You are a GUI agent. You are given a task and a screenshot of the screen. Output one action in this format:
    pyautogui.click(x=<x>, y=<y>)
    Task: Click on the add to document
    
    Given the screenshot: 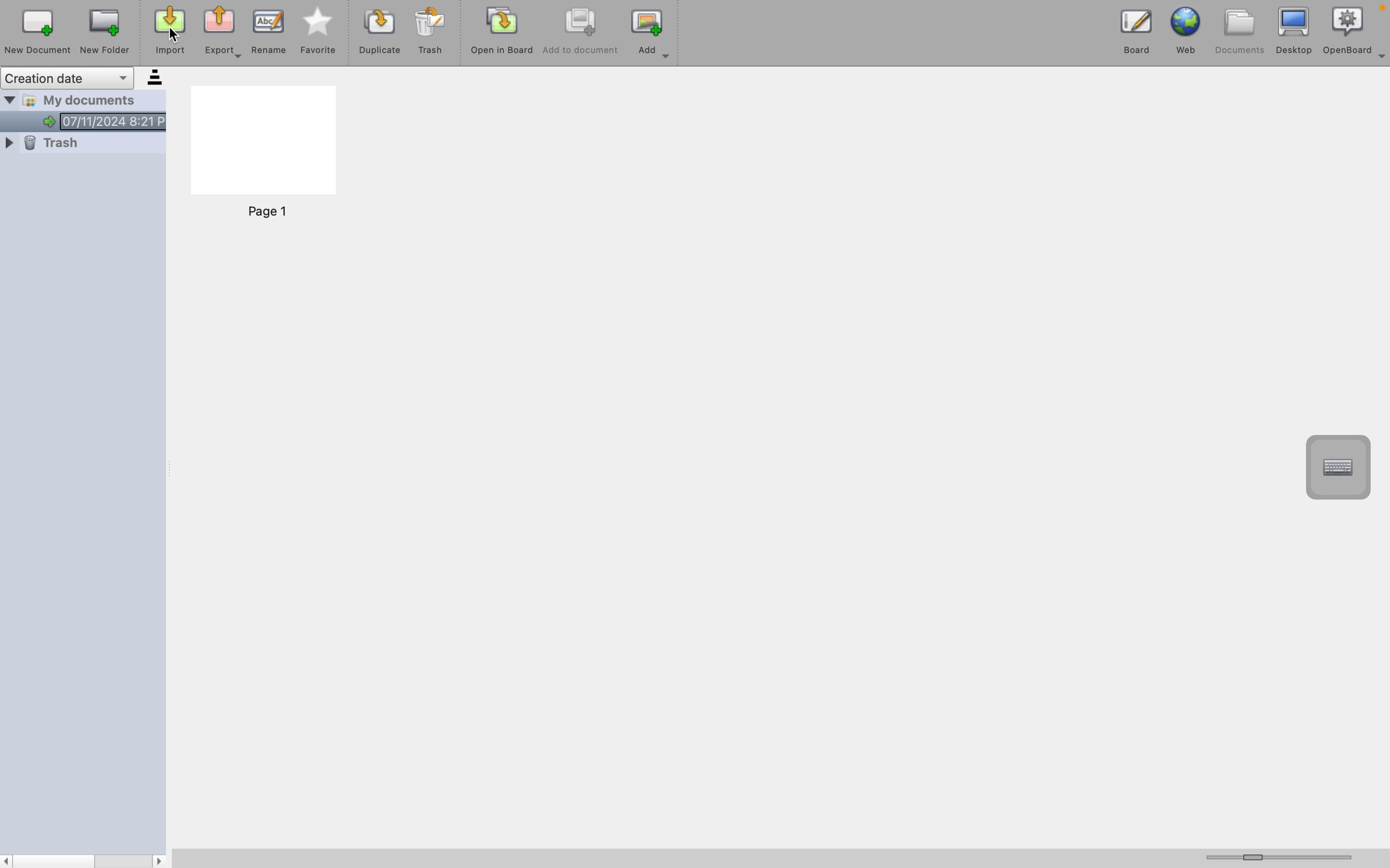 What is the action you would take?
    pyautogui.click(x=581, y=35)
    